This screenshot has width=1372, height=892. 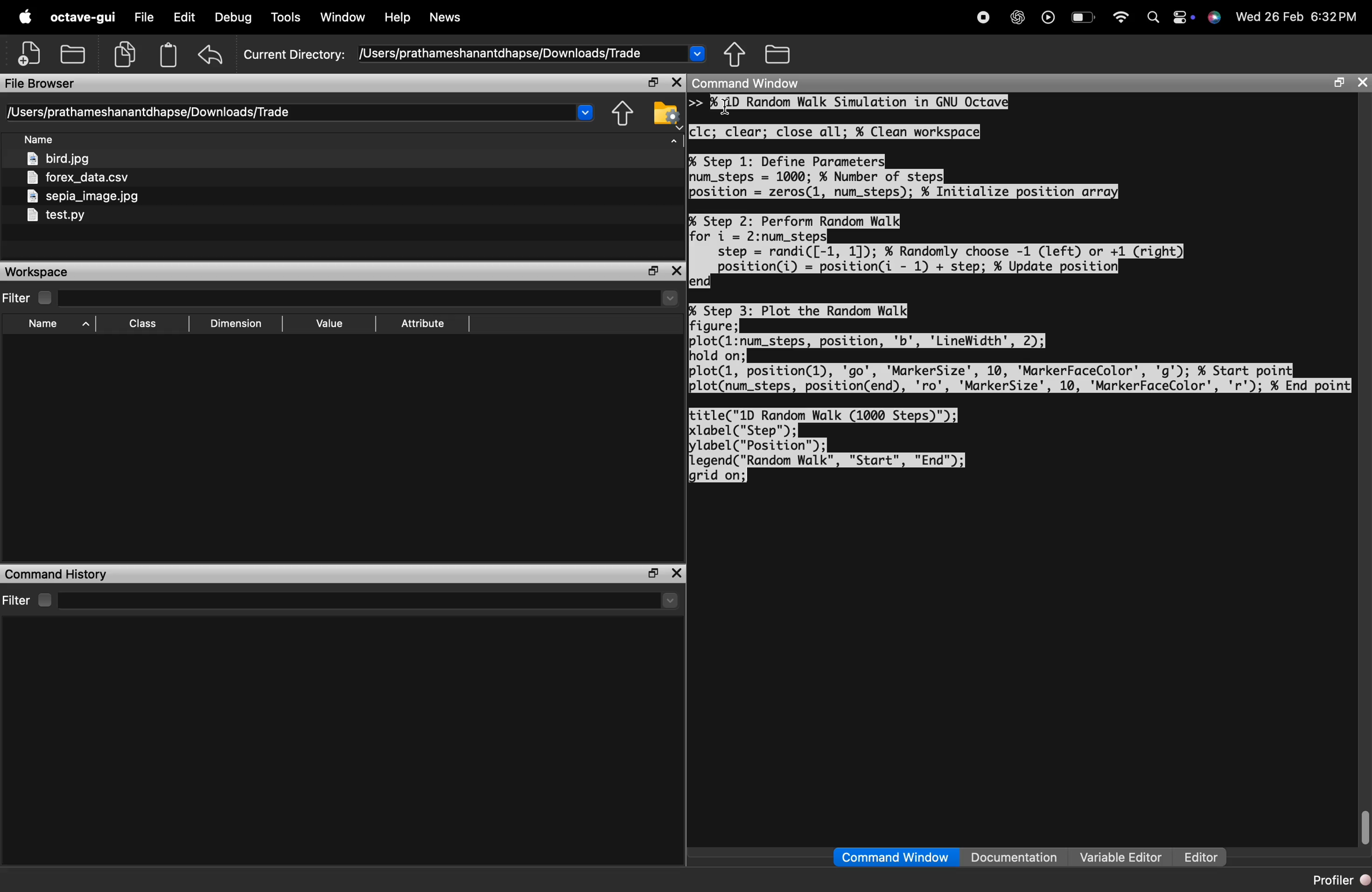 I want to click on new script, so click(x=31, y=52).